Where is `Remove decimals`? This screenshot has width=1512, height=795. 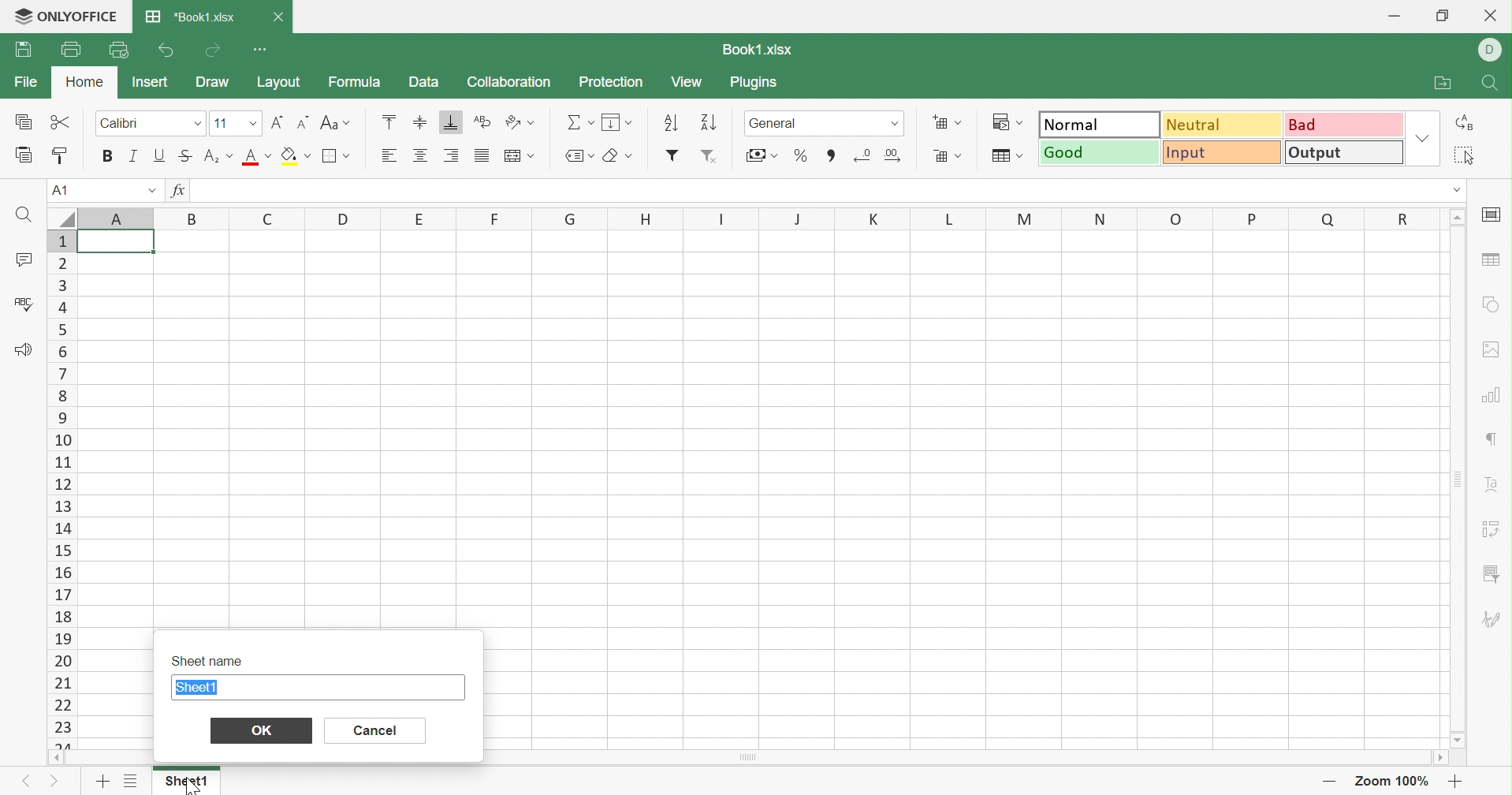 Remove decimals is located at coordinates (894, 155).